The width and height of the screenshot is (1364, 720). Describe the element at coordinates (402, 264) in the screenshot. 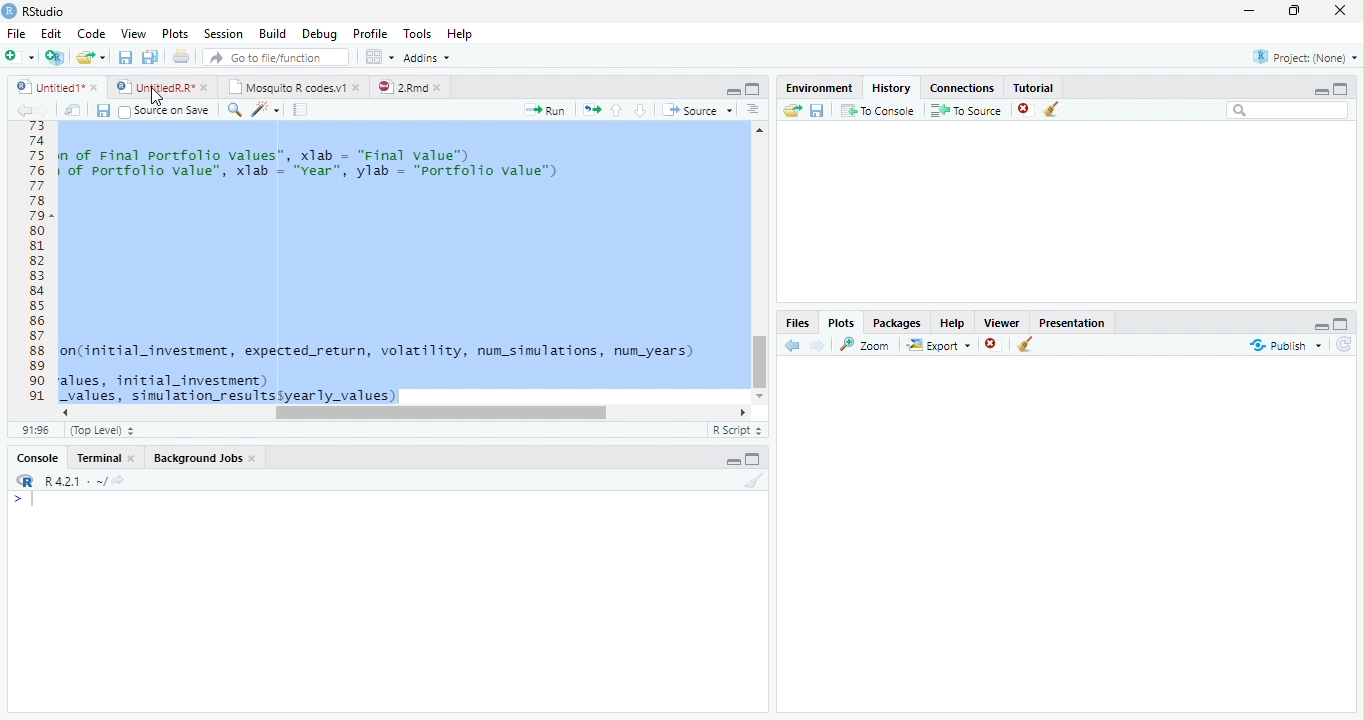

I see `Code` at that location.